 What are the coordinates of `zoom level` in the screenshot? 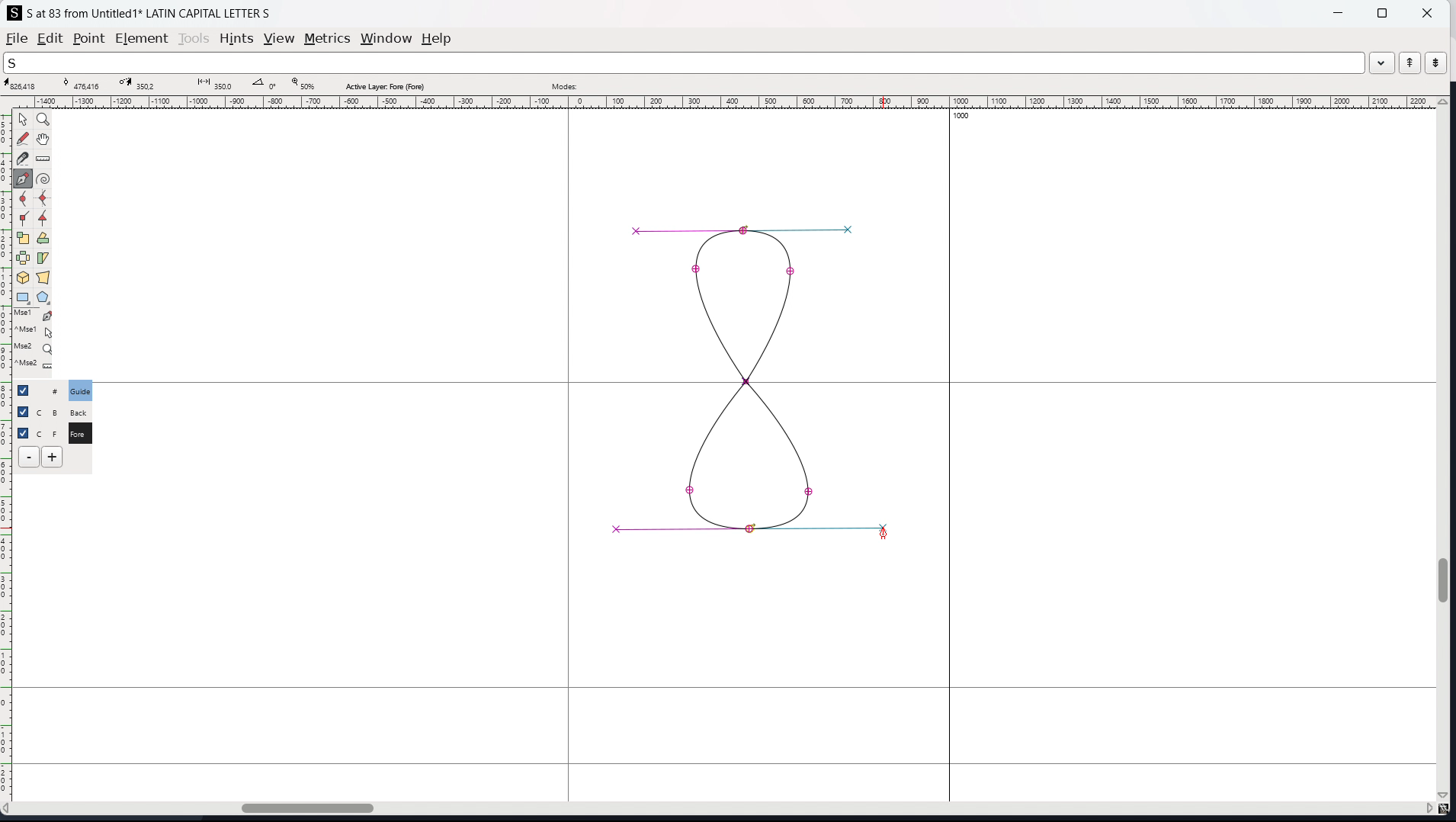 It's located at (303, 85).